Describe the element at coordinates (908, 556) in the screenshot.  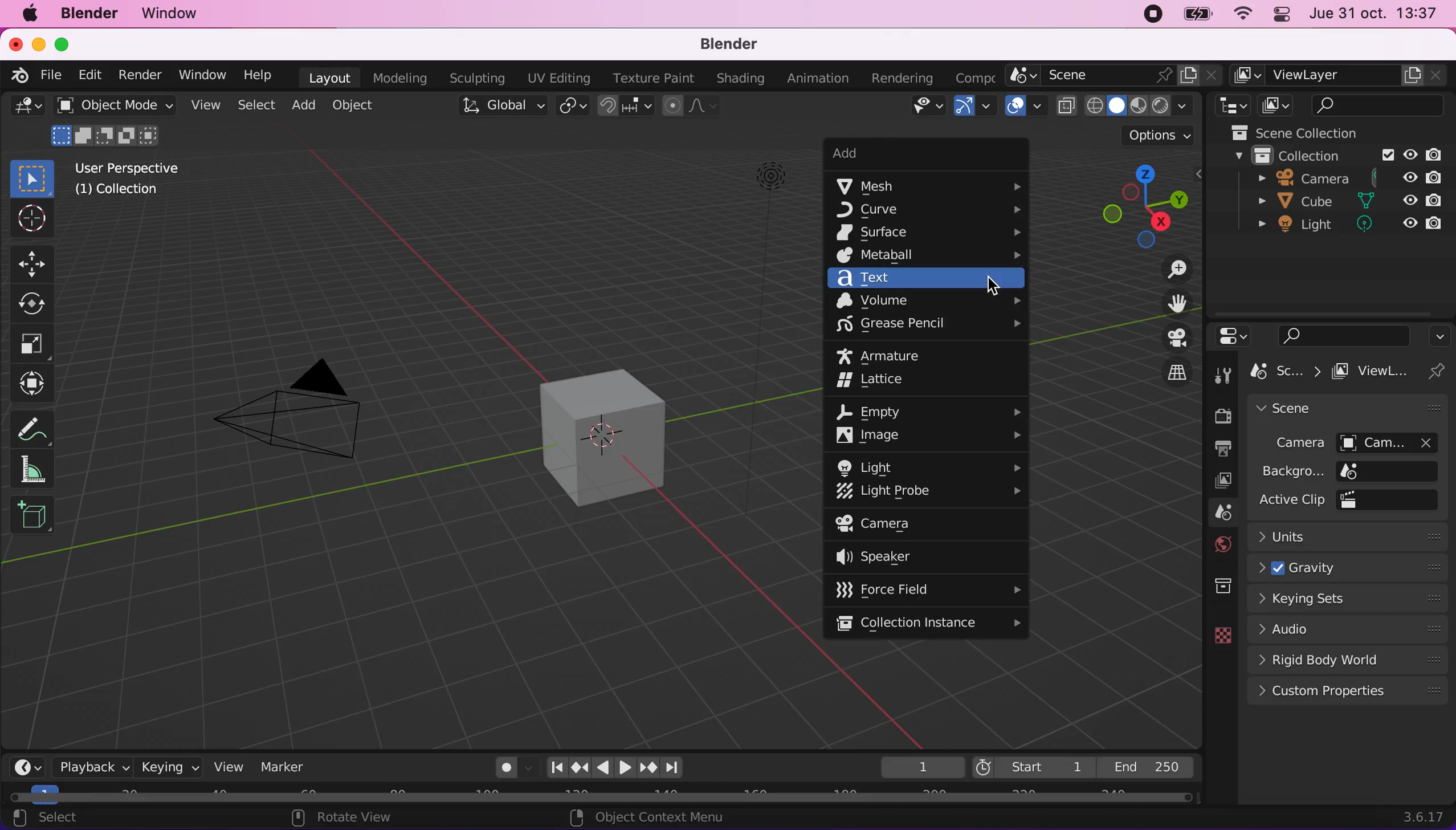
I see `speaker` at that location.